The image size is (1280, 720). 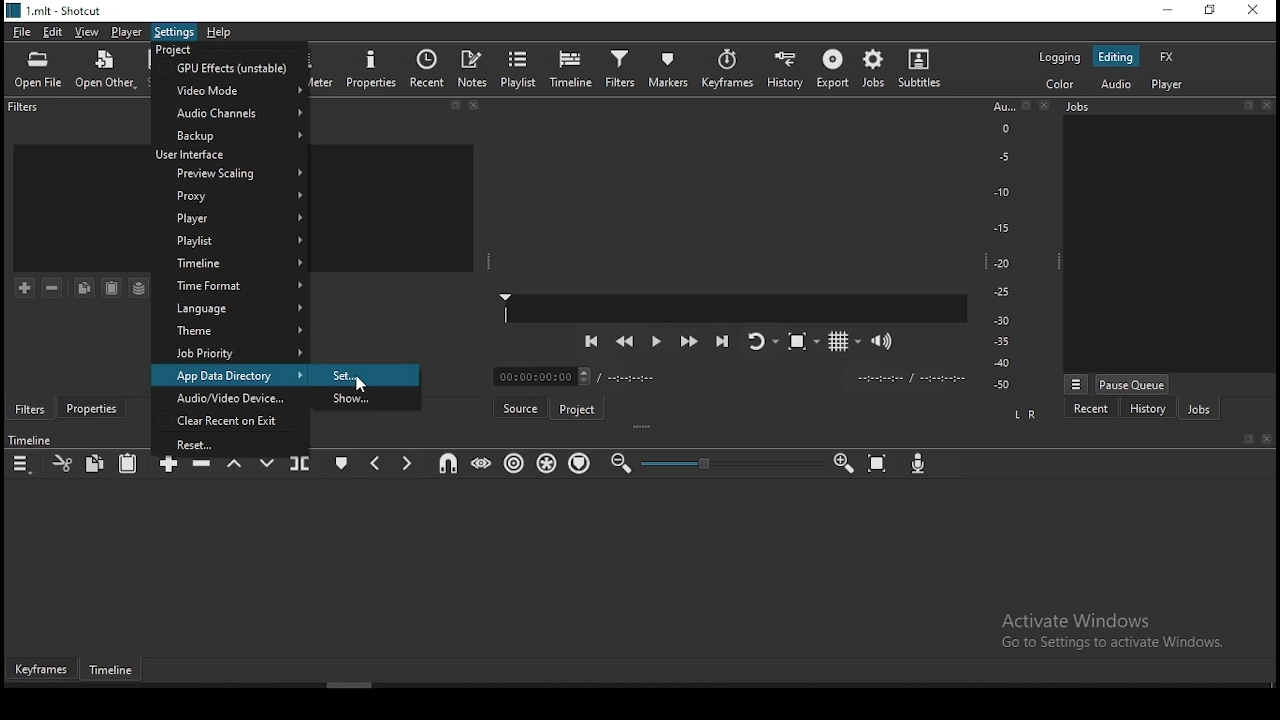 What do you see at coordinates (547, 464) in the screenshot?
I see `ripple all tracks` at bounding box center [547, 464].